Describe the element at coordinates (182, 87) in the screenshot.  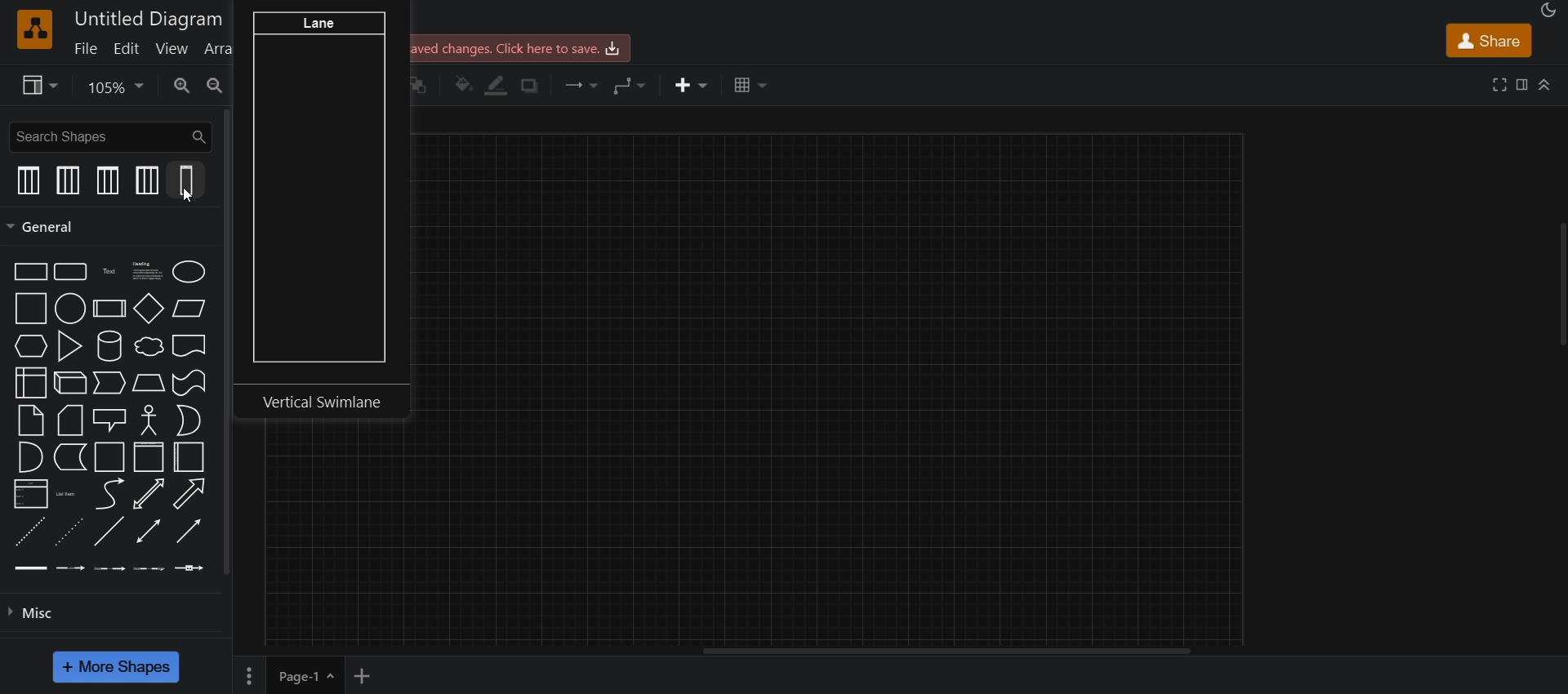
I see `zoom in` at that location.